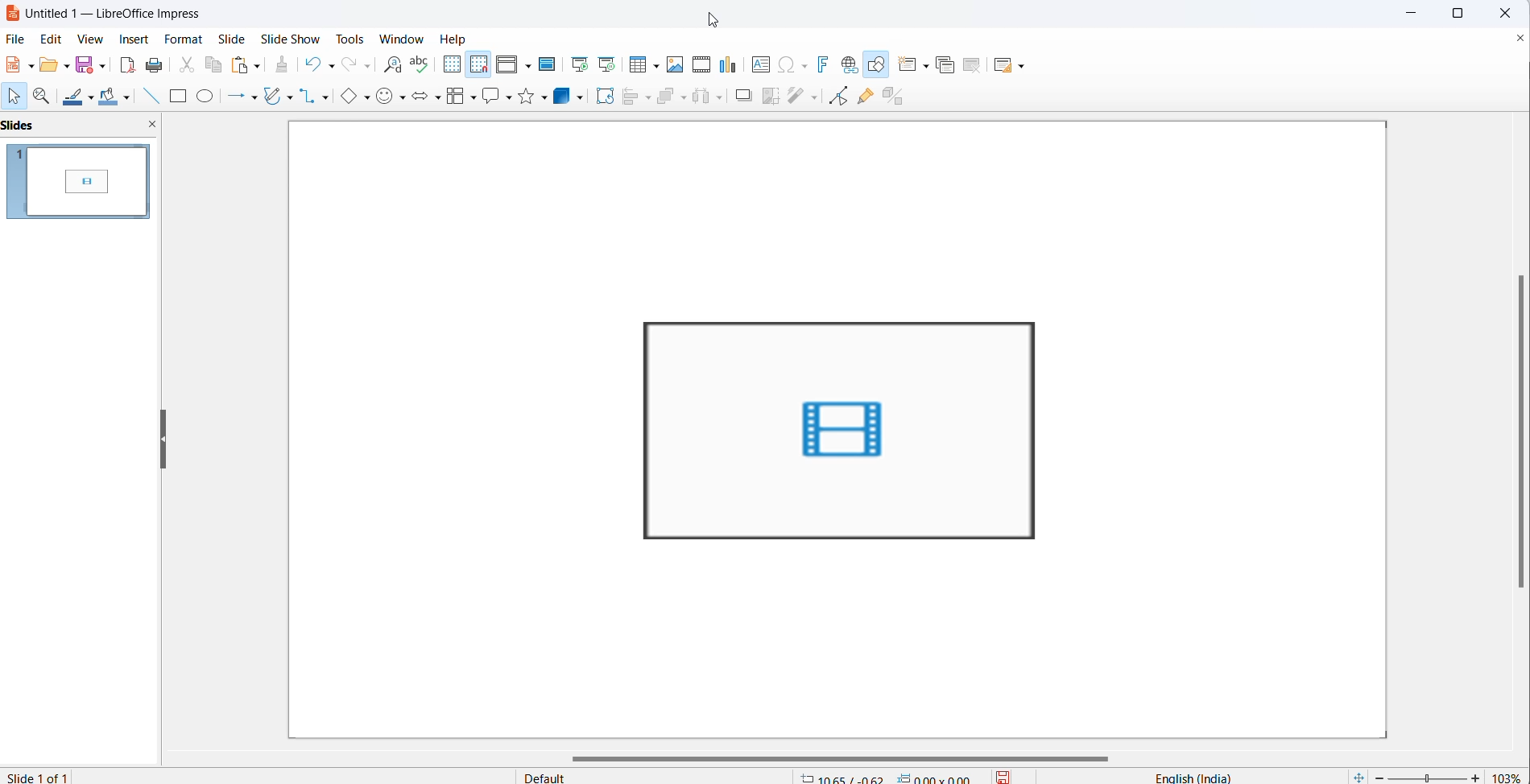  What do you see at coordinates (579, 64) in the screenshot?
I see `start from first slide` at bounding box center [579, 64].